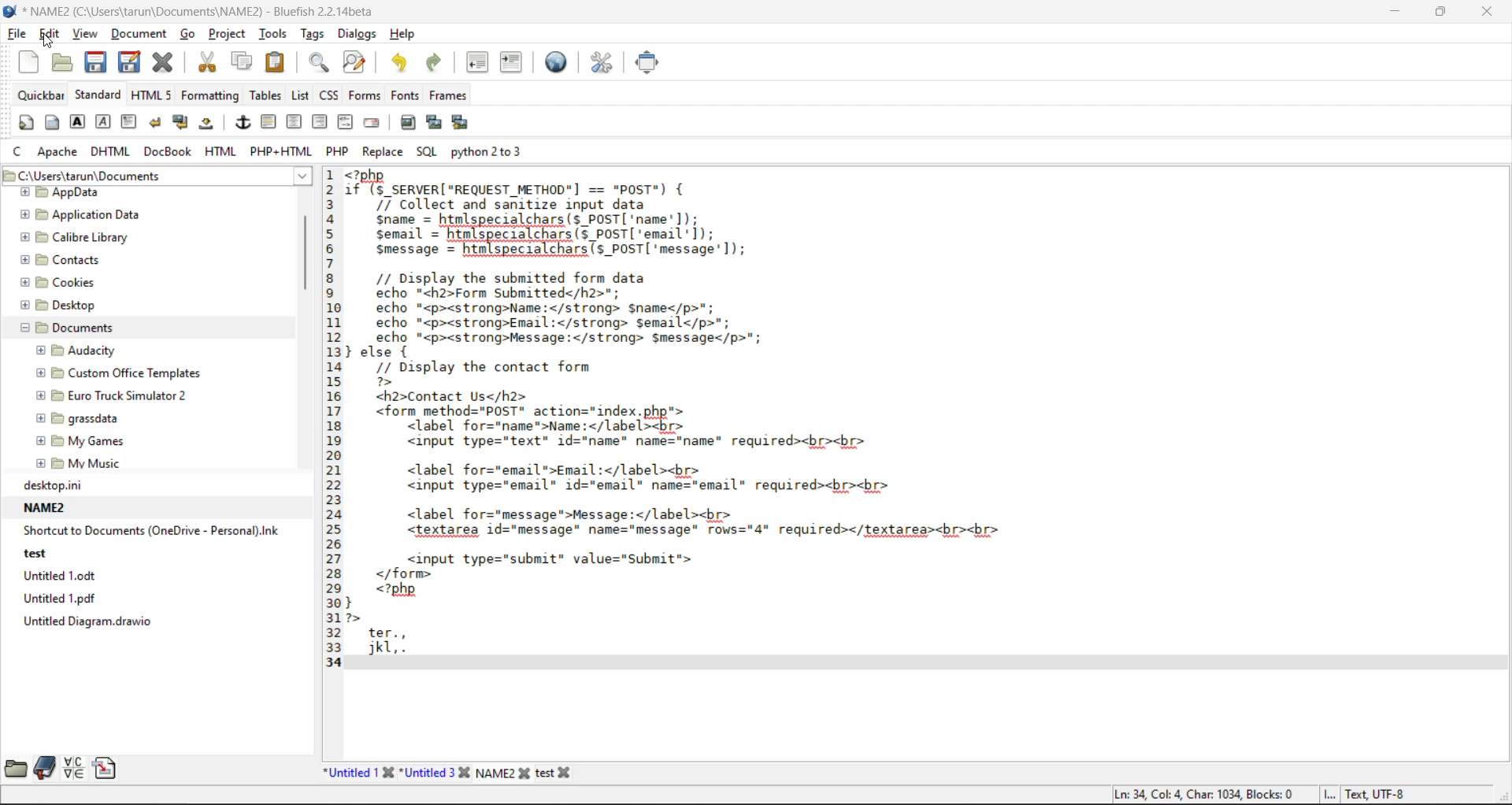  Describe the element at coordinates (60, 280) in the screenshot. I see `Cookies` at that location.